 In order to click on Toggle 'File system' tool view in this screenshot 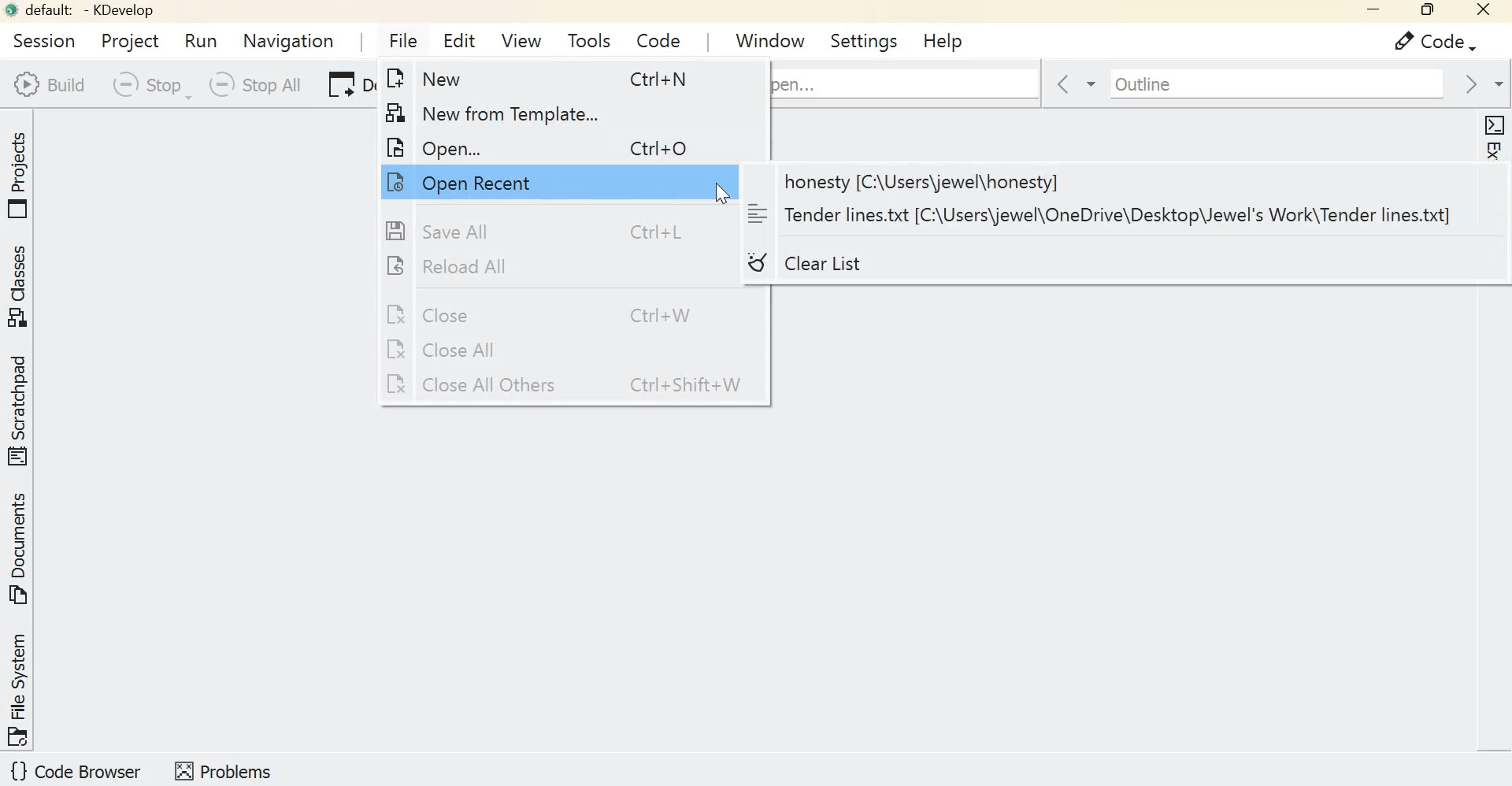, I will do `click(20, 688)`.